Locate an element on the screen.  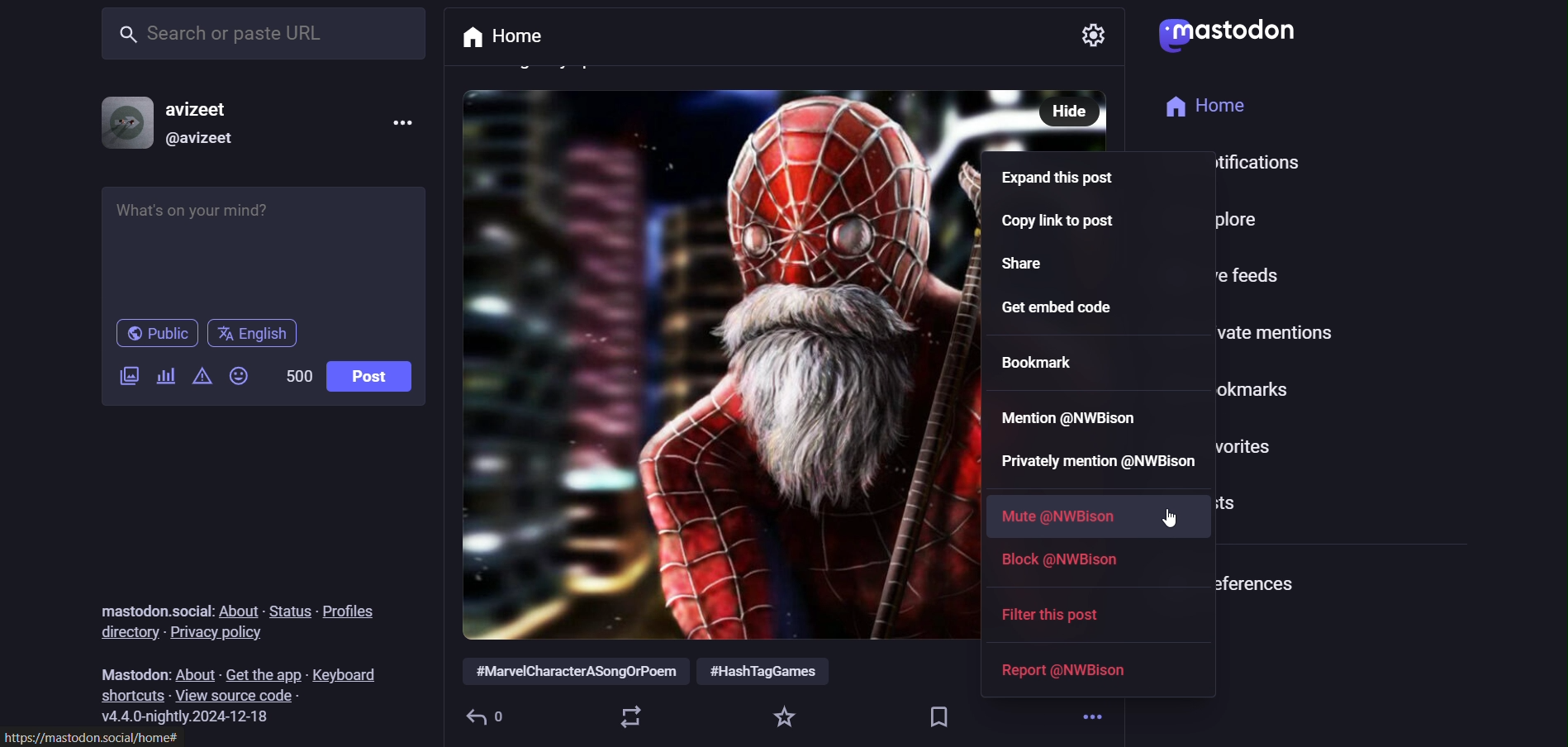
English is located at coordinates (262, 332).